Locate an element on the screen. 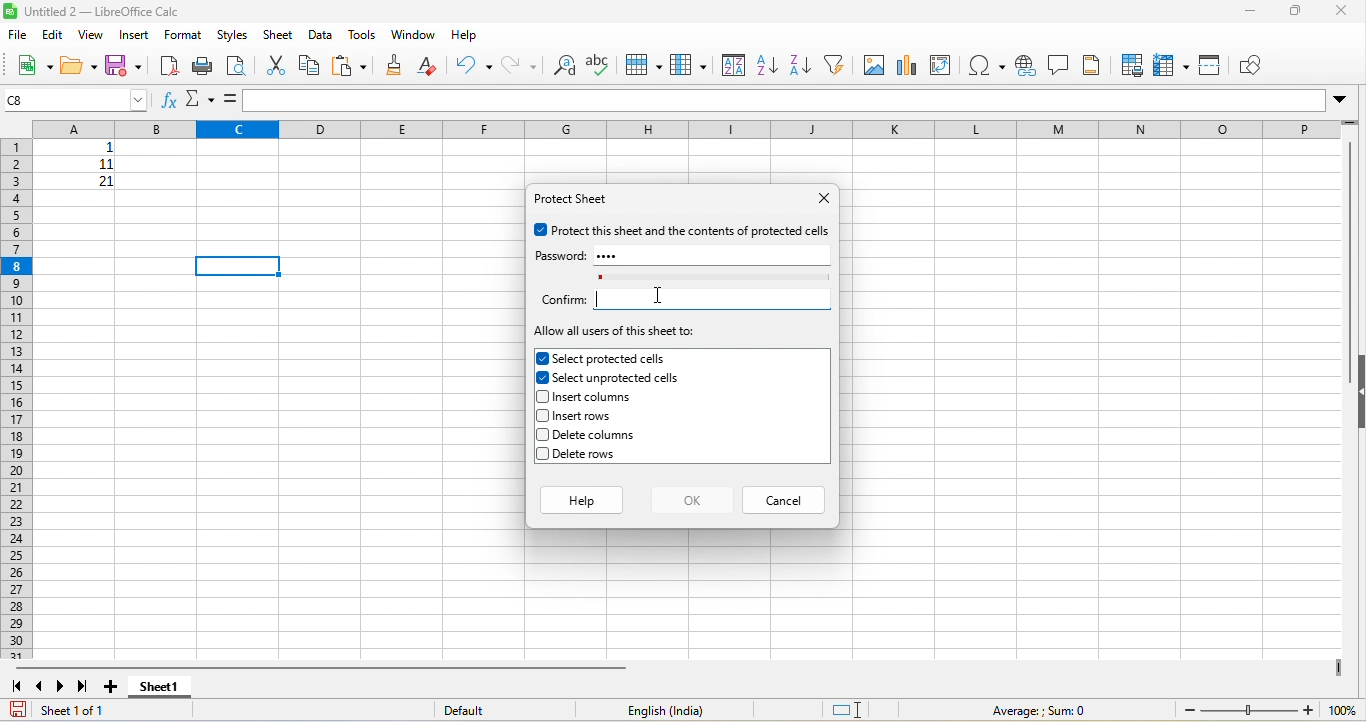 The image size is (1366, 722). drag to view more columns is located at coordinates (1335, 666).